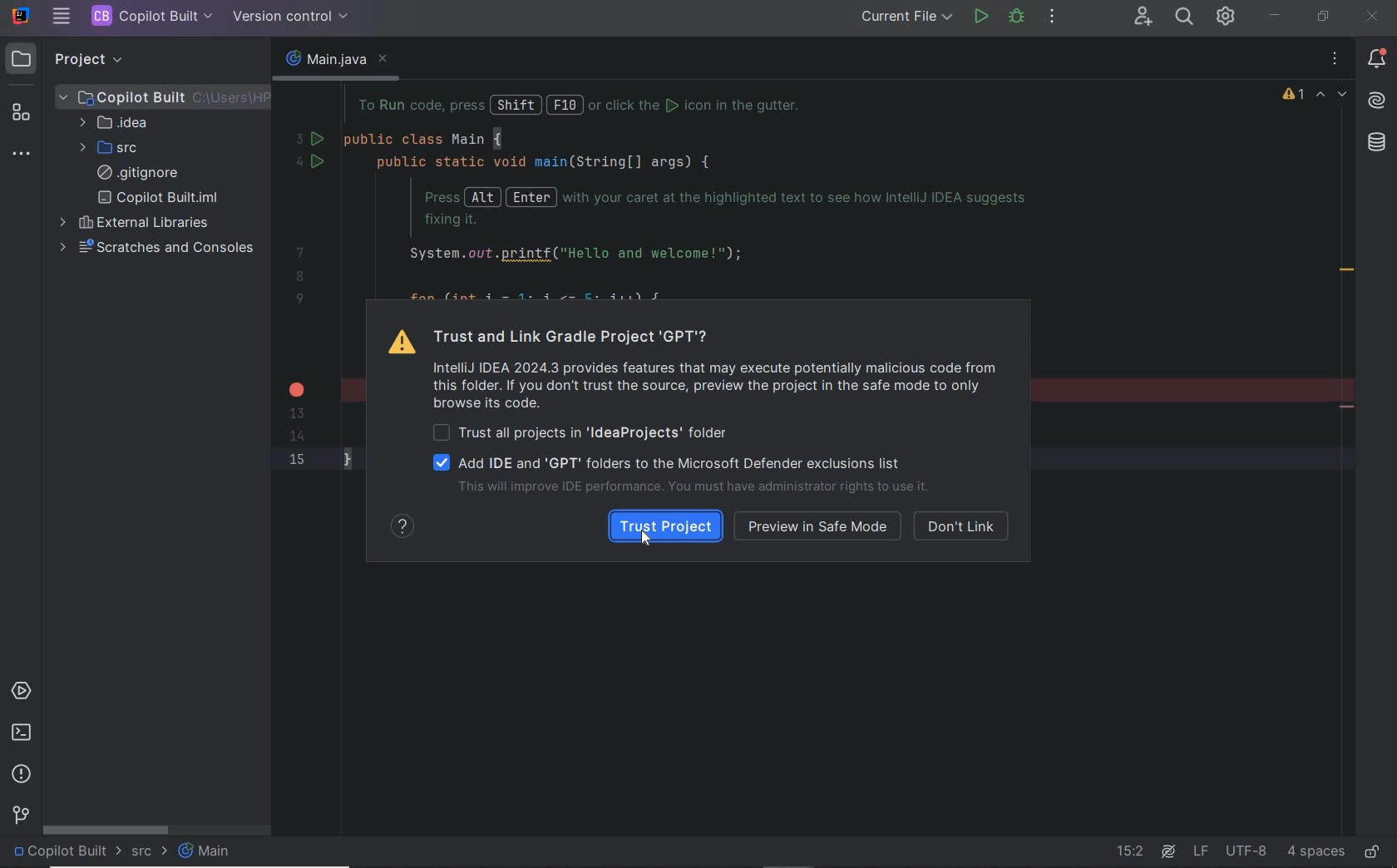  What do you see at coordinates (67, 852) in the screenshot?
I see `project name` at bounding box center [67, 852].